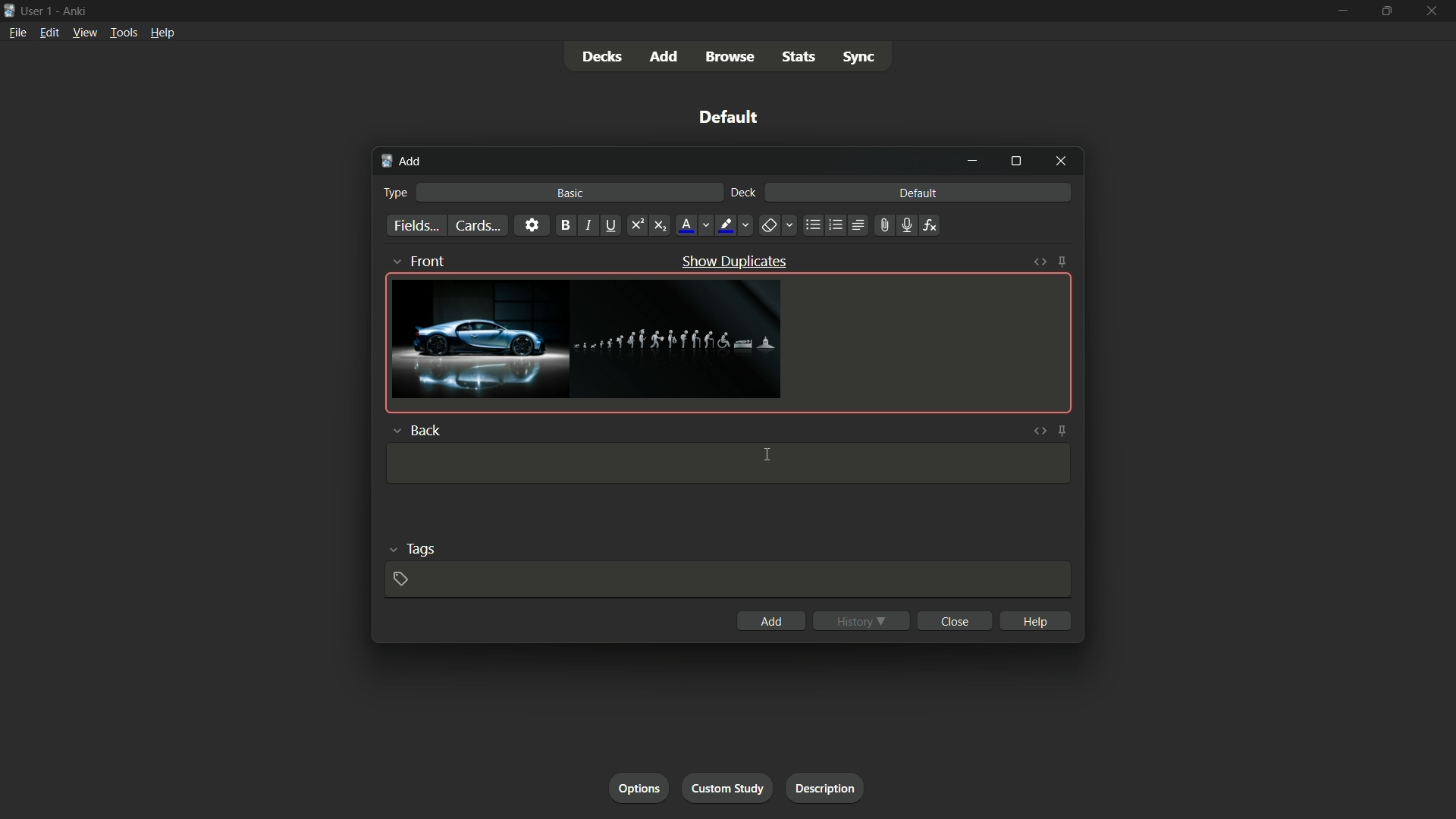 Image resolution: width=1456 pixels, height=819 pixels. Describe the element at coordinates (861, 58) in the screenshot. I see `sync` at that location.